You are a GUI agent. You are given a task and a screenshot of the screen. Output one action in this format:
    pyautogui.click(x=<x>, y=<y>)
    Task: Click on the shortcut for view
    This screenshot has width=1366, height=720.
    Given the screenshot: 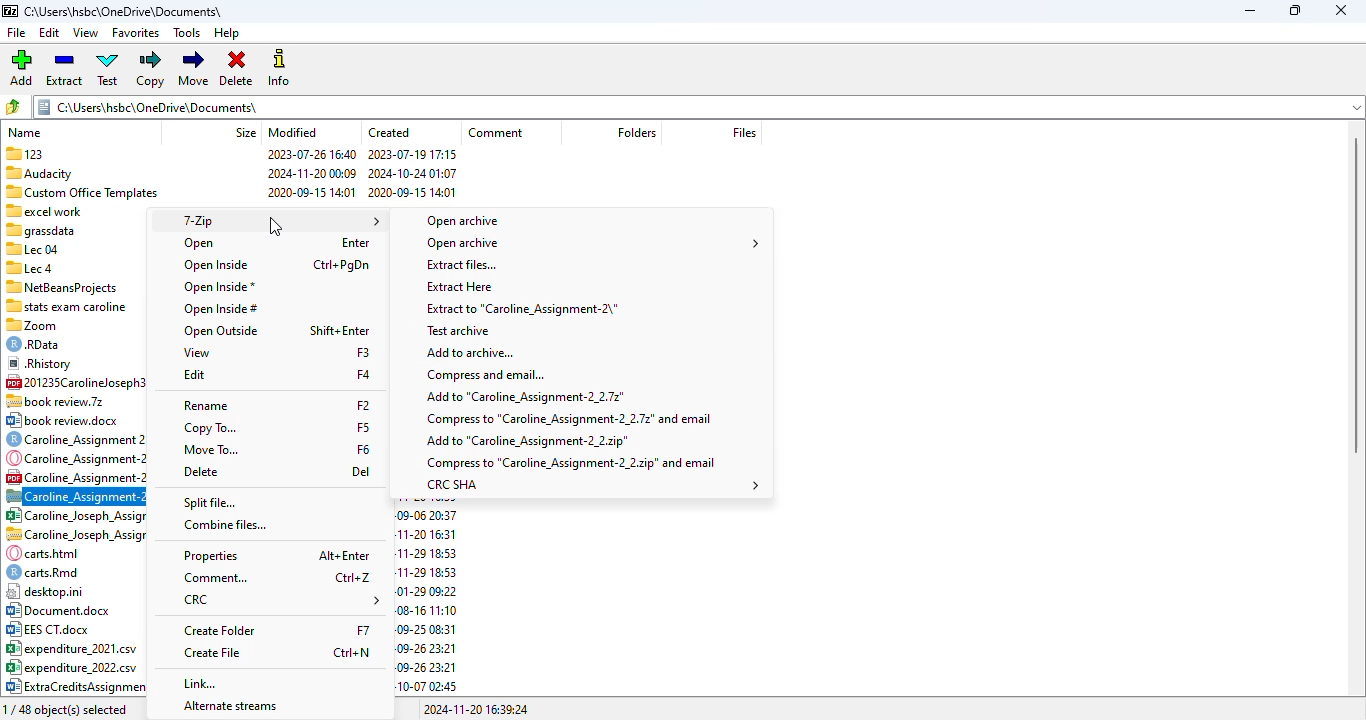 What is the action you would take?
    pyautogui.click(x=364, y=351)
    